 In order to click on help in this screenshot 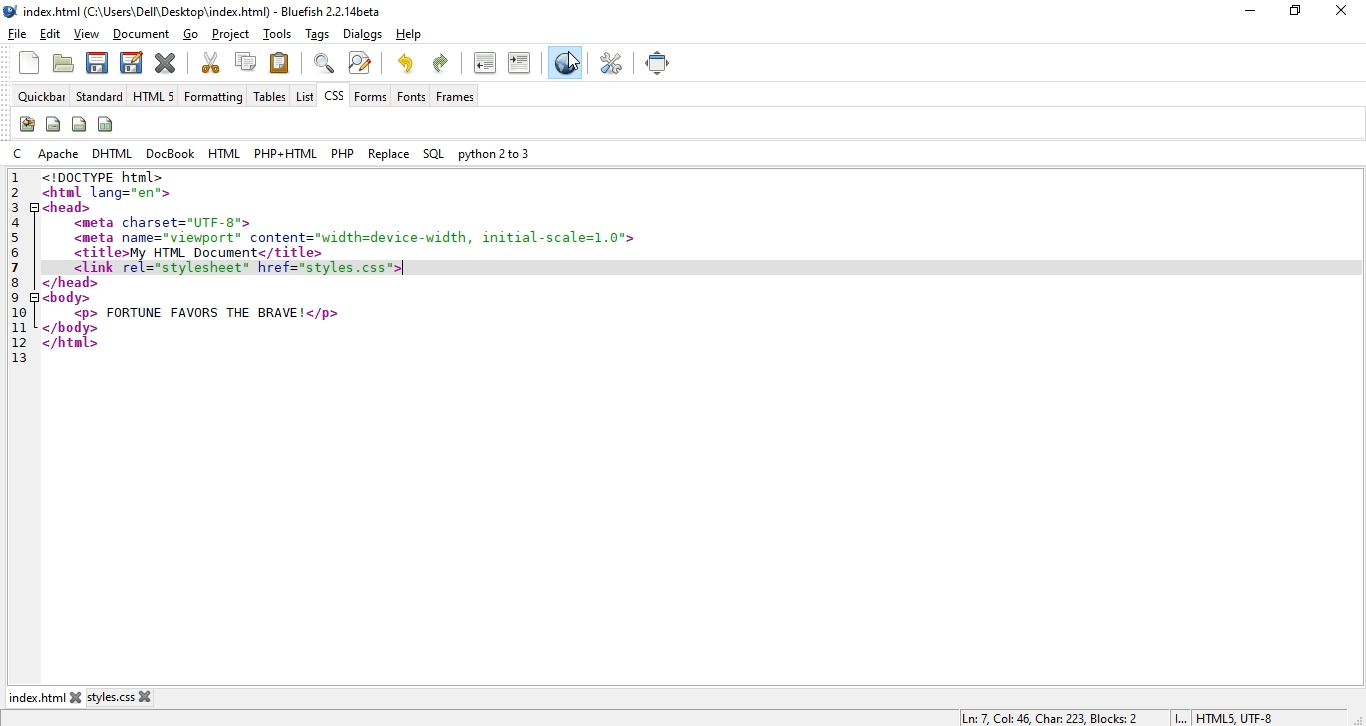, I will do `click(408, 35)`.